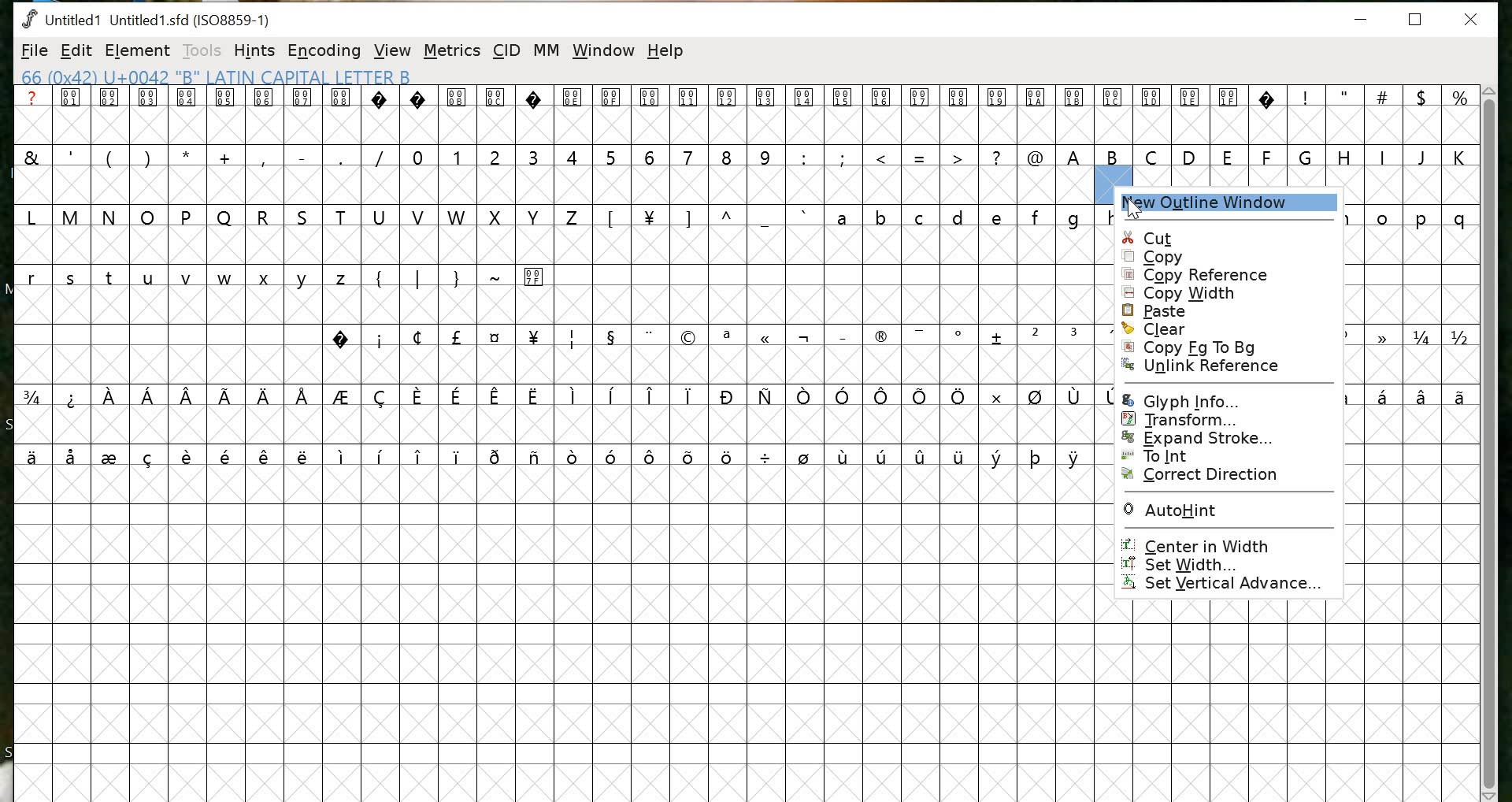 This screenshot has height=802, width=1512. I want to click on copy reference, so click(1208, 276).